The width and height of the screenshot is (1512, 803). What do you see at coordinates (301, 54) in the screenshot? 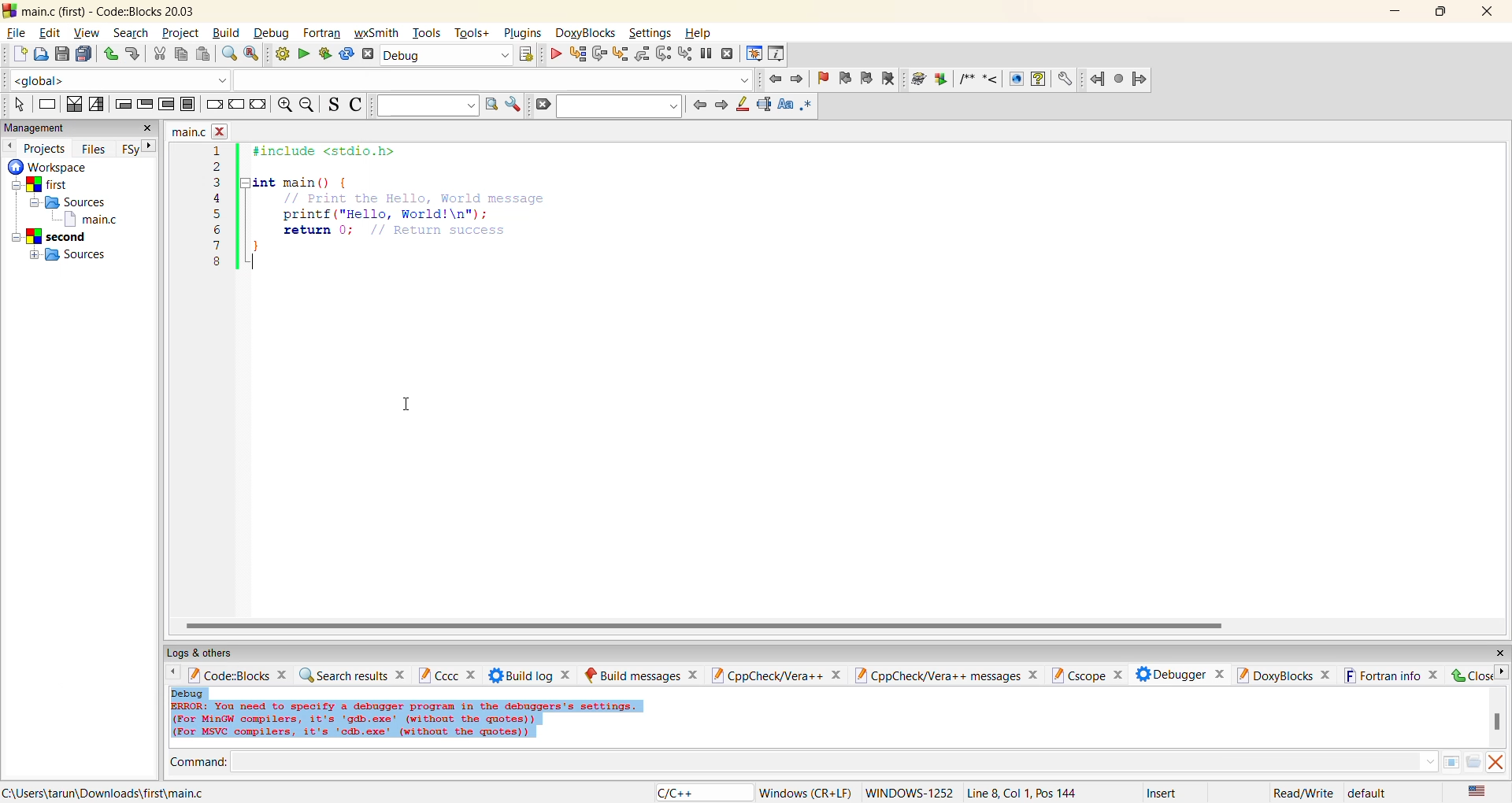
I see `run` at bounding box center [301, 54].